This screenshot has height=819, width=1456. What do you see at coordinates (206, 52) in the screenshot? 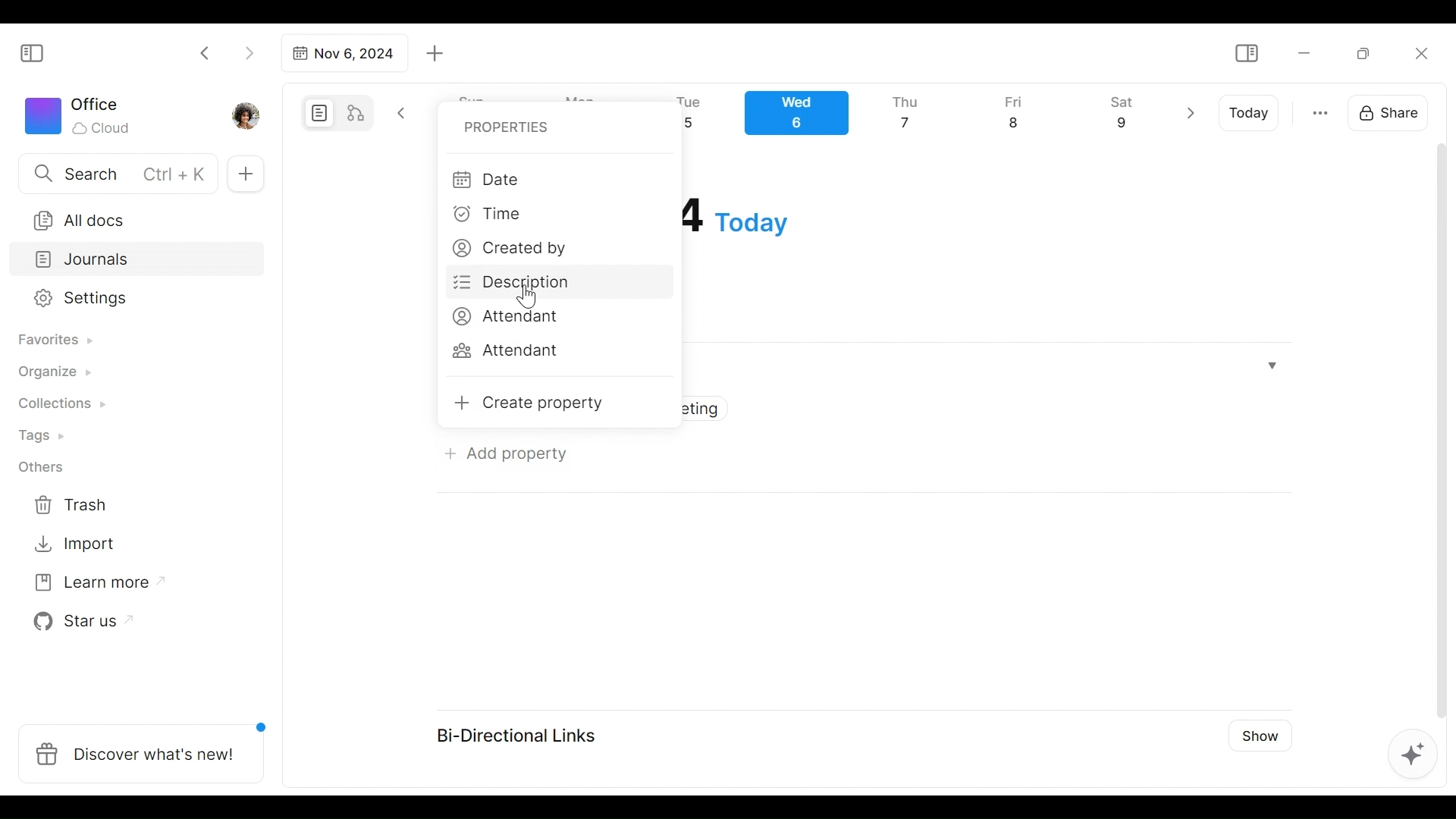
I see `Click to go back` at bounding box center [206, 52].